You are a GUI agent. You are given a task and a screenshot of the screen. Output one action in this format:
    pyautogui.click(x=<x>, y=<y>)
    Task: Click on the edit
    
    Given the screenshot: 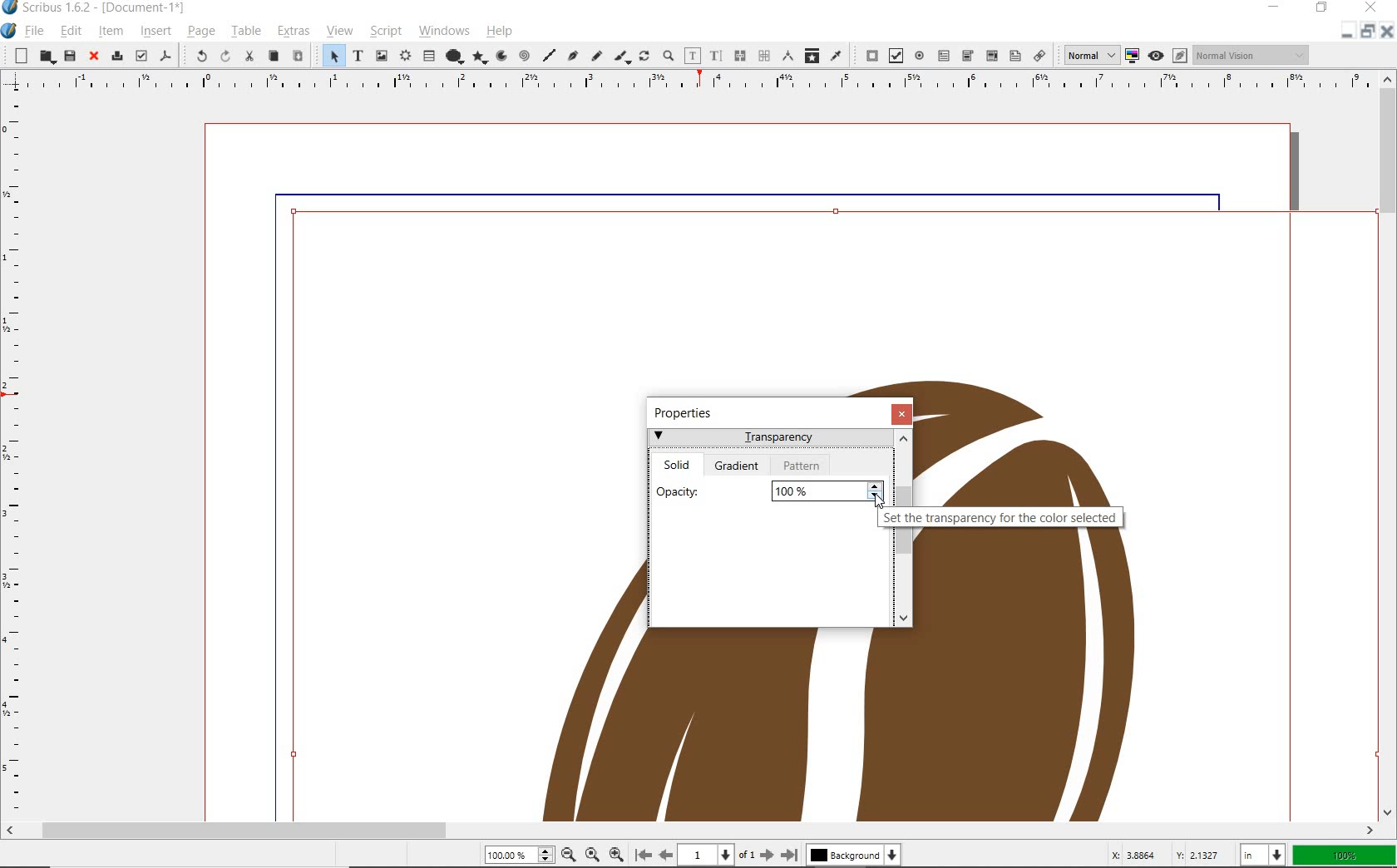 What is the action you would take?
    pyautogui.click(x=72, y=32)
    